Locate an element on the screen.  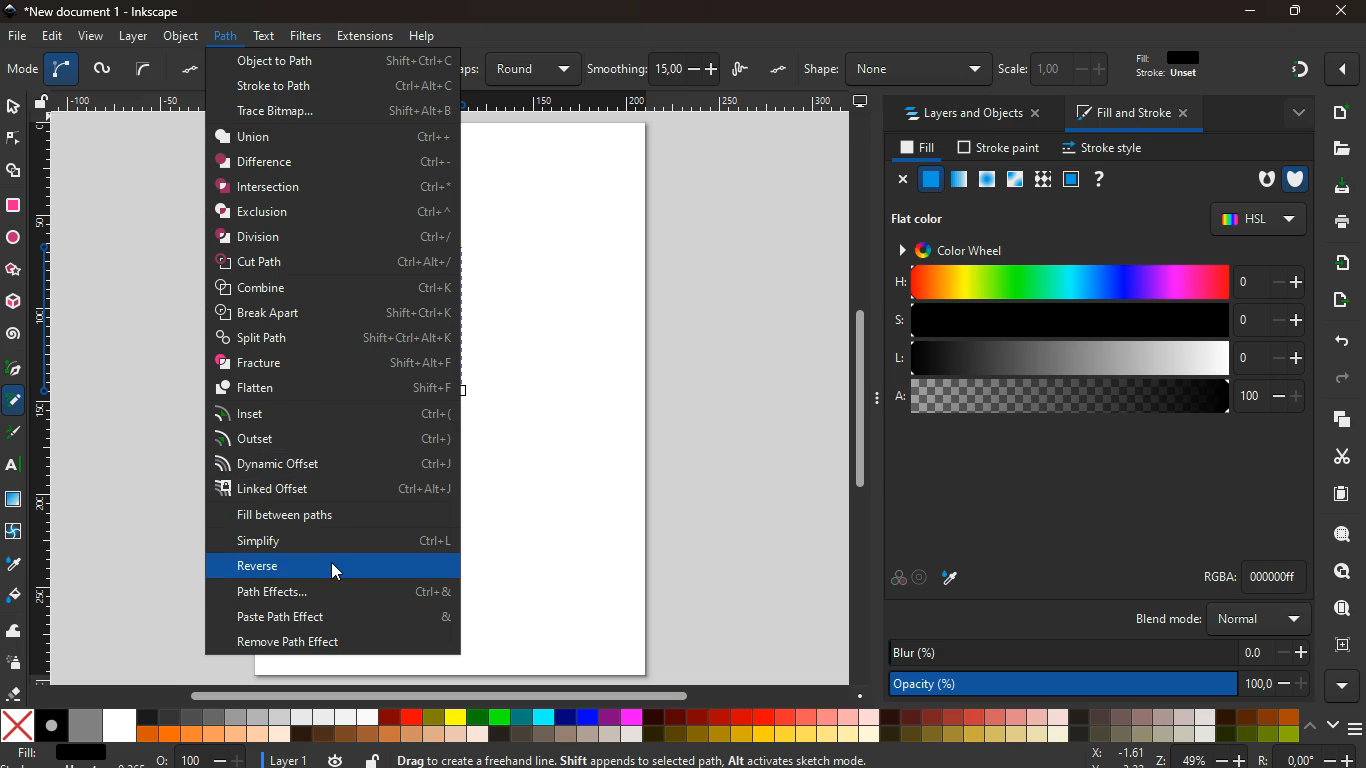
layer is located at coordinates (136, 37).